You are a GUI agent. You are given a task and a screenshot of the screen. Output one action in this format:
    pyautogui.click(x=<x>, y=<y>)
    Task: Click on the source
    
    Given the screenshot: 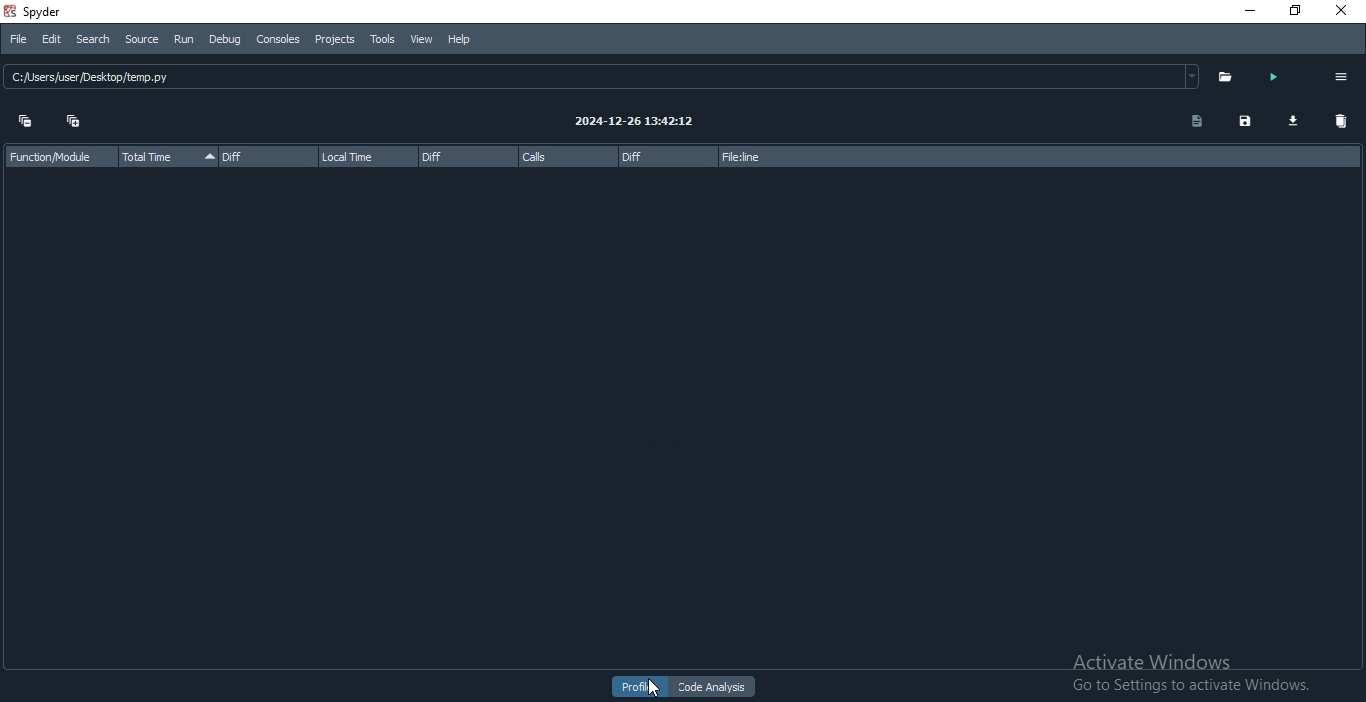 What is the action you would take?
    pyautogui.click(x=139, y=38)
    